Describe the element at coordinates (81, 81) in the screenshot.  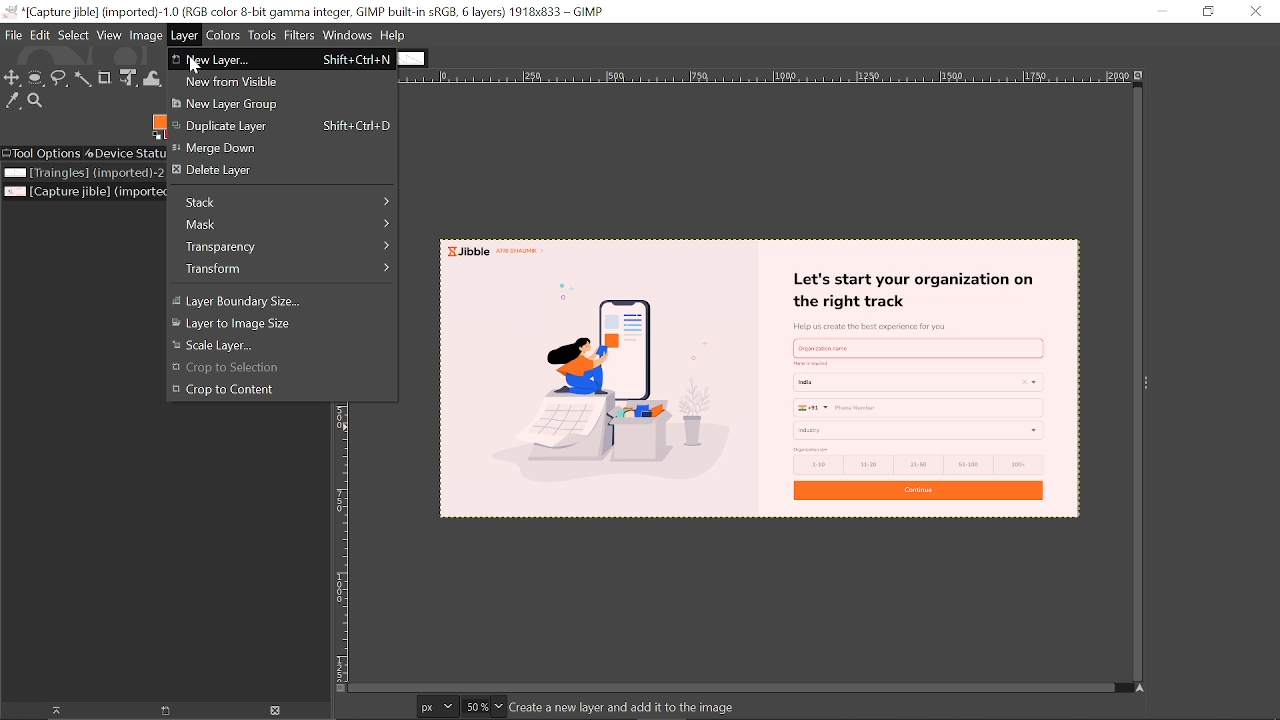
I see `Fuzzy select tool` at that location.